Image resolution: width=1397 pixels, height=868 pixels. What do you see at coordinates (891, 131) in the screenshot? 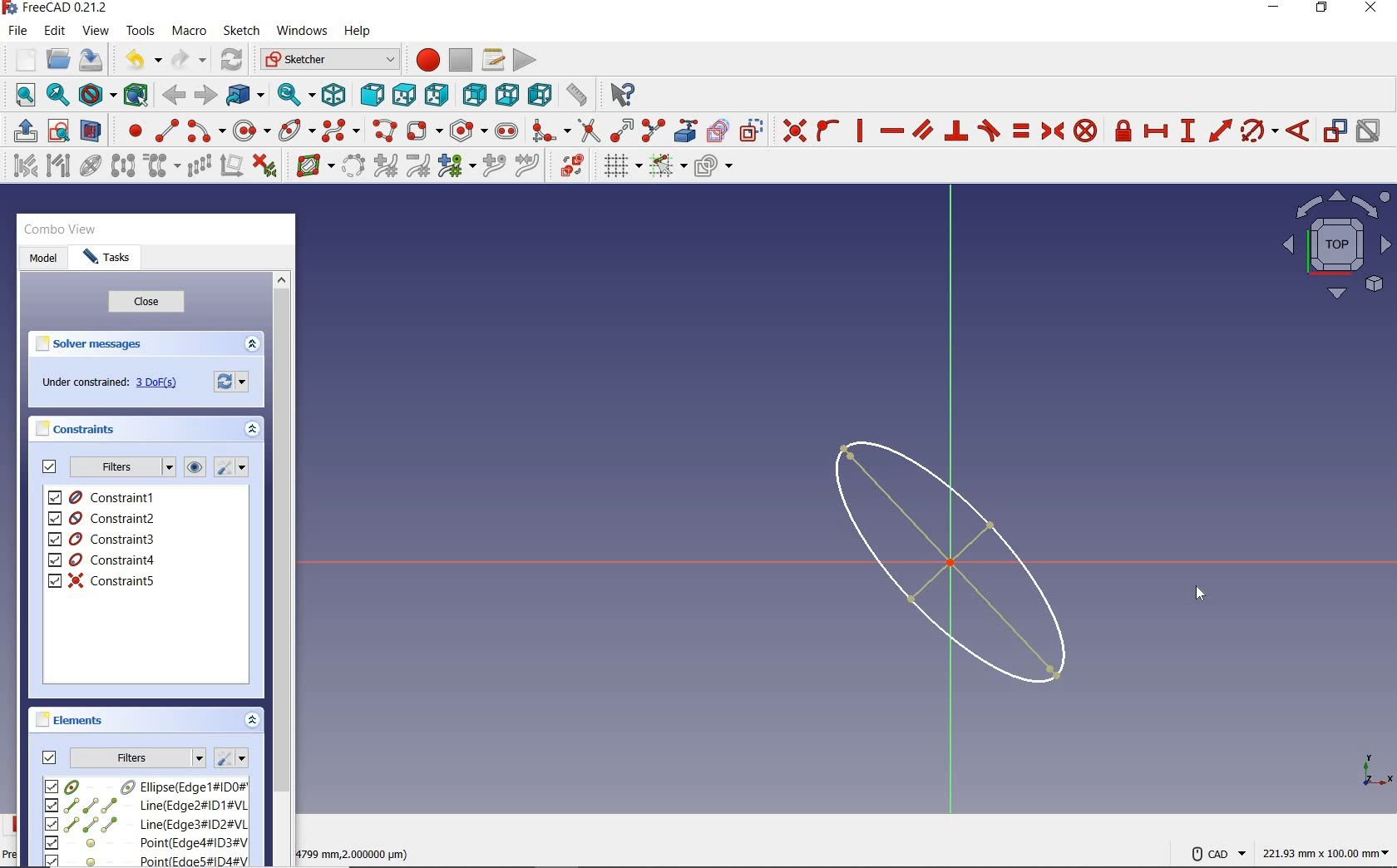
I see `constrain horizontally` at bounding box center [891, 131].